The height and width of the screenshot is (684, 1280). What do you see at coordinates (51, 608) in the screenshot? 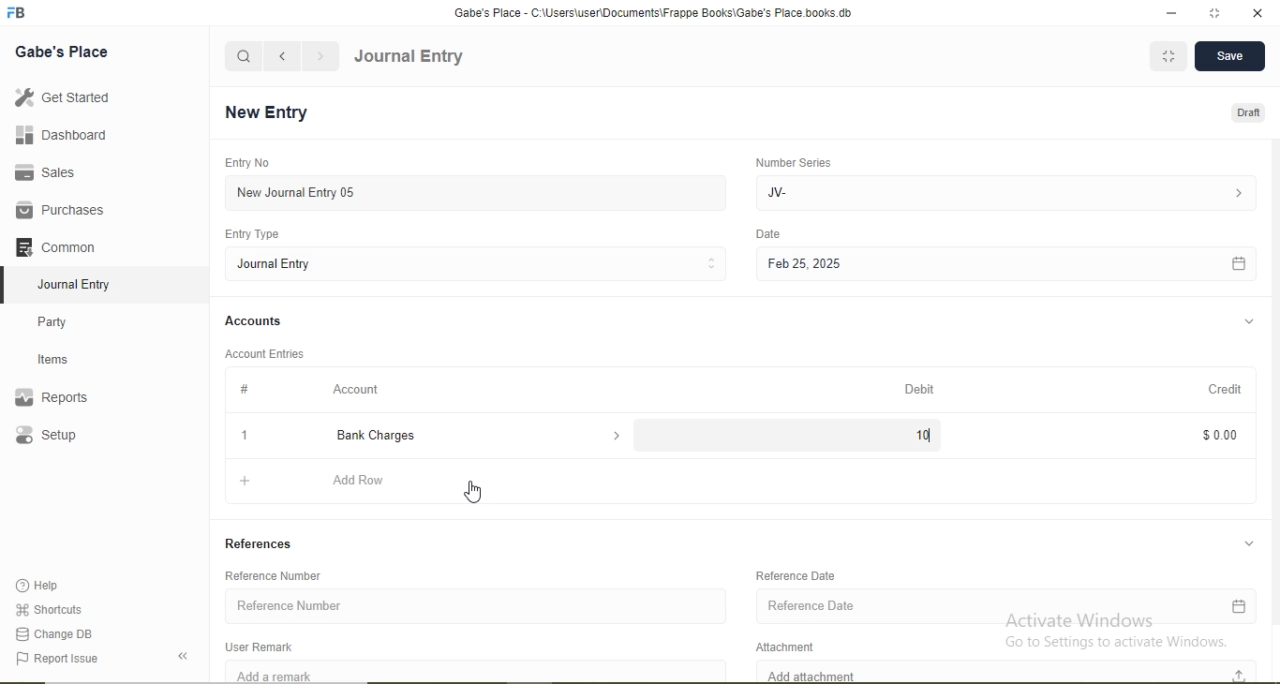
I see `‘Shortcuts` at bounding box center [51, 608].